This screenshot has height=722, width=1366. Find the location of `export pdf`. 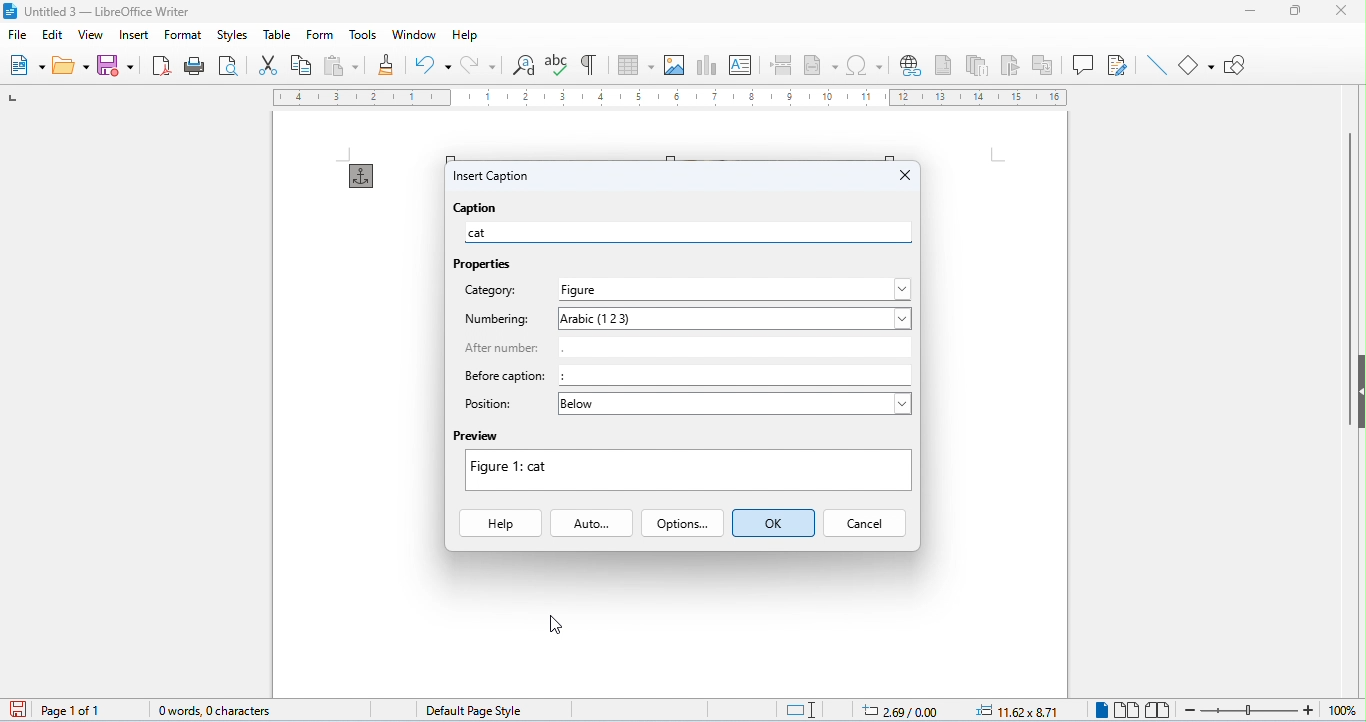

export pdf is located at coordinates (163, 65).